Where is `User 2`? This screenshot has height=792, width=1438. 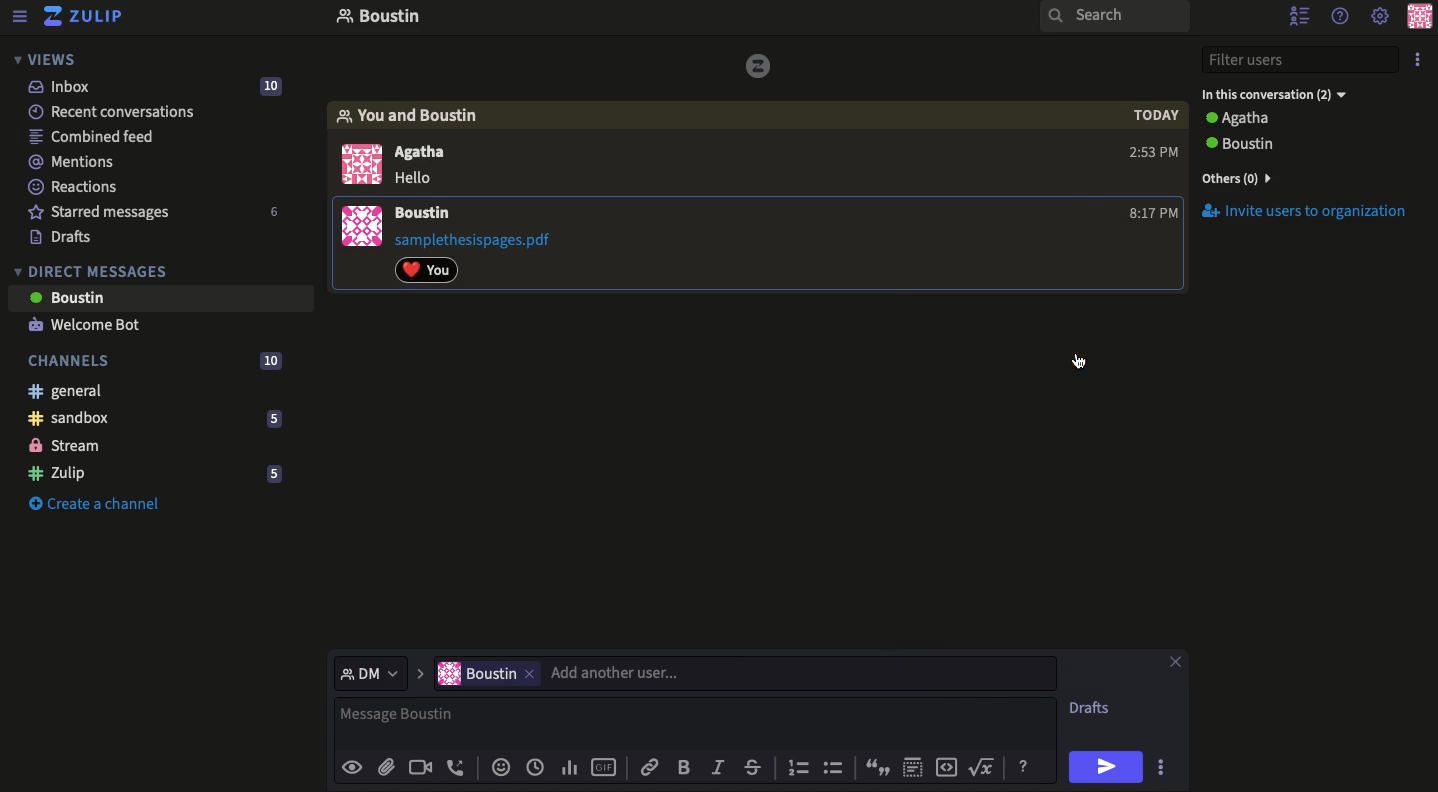
User 2 is located at coordinates (1292, 144).